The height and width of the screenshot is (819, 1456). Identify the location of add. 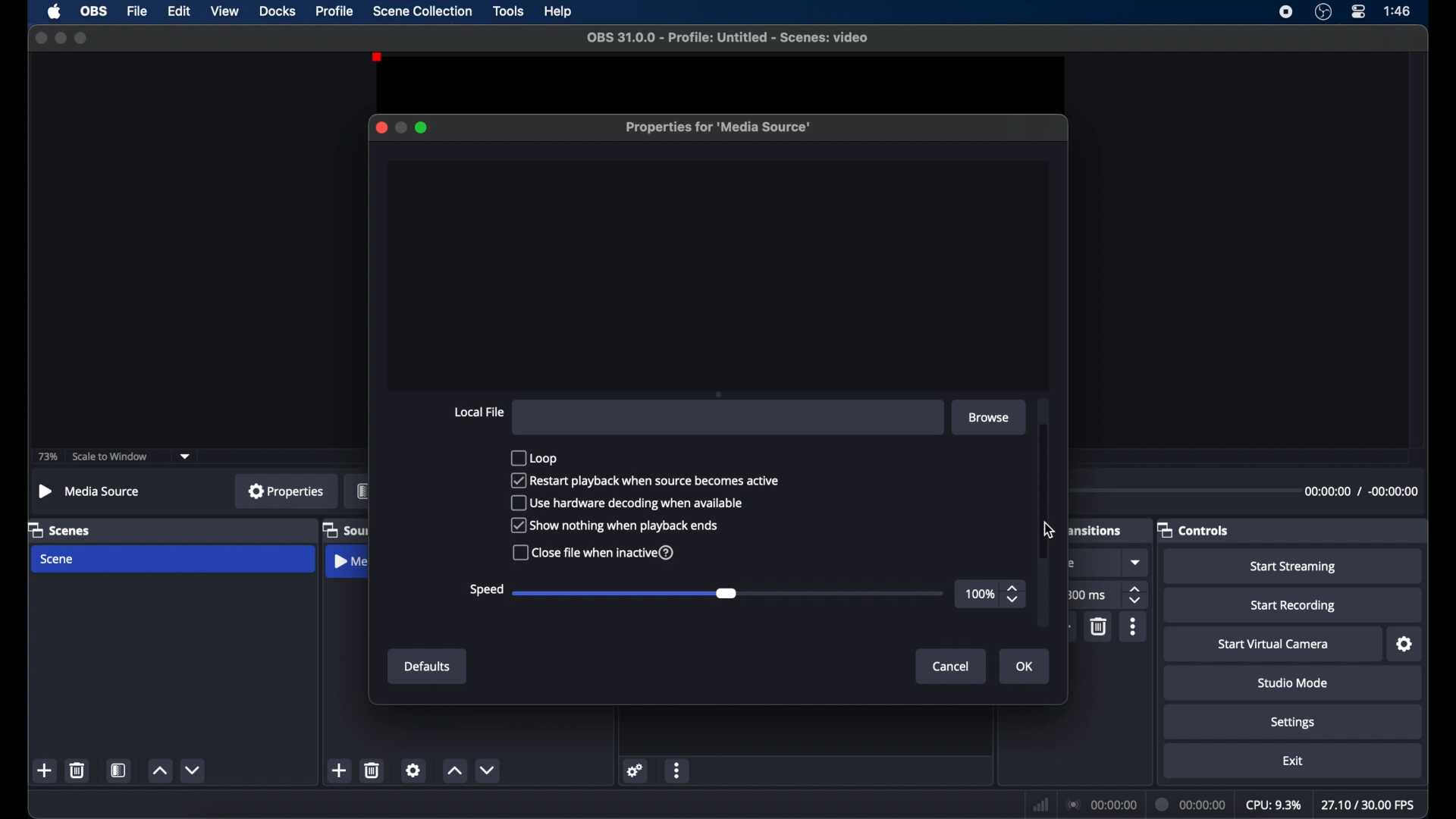
(338, 770).